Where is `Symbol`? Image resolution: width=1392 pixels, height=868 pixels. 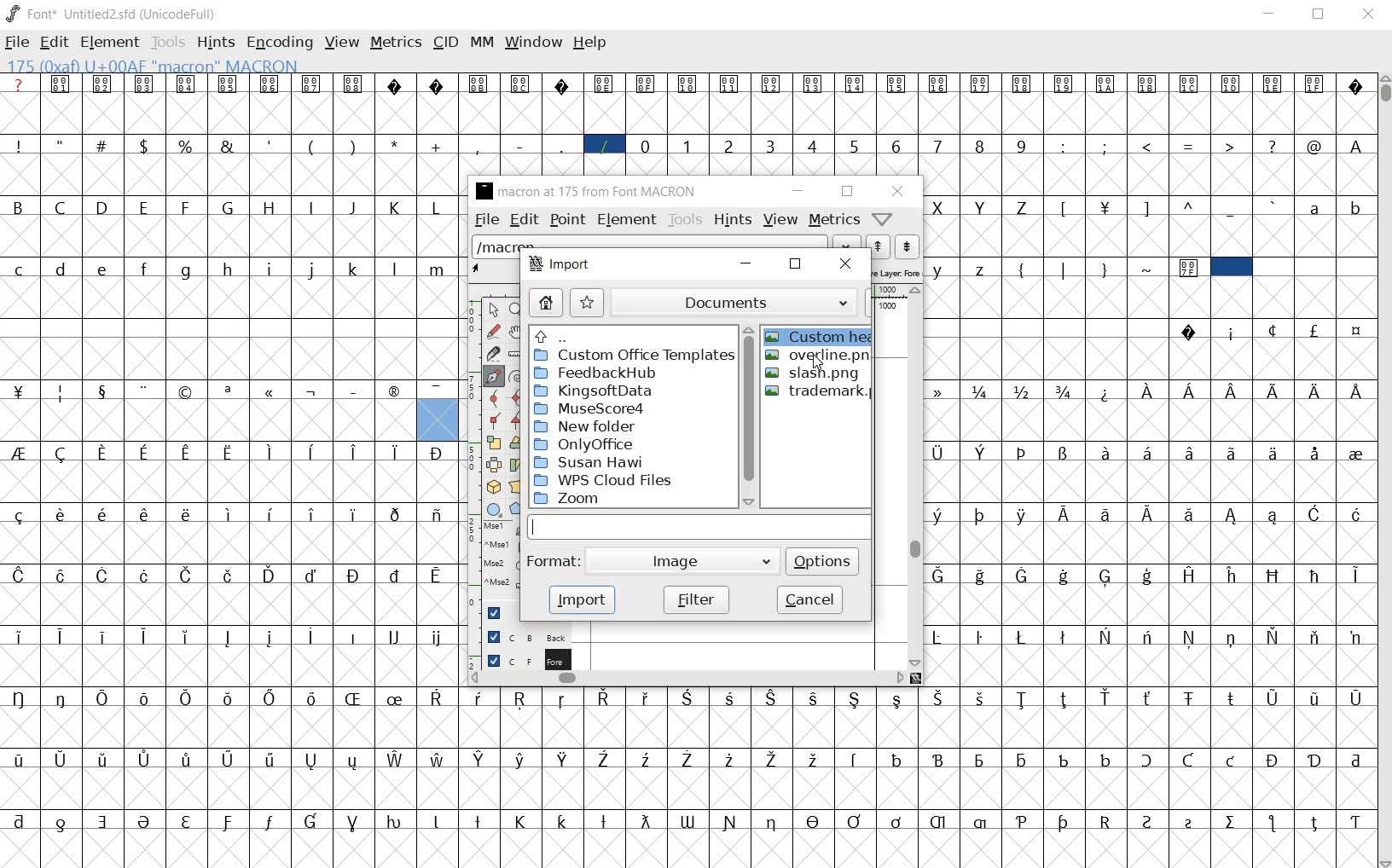 Symbol is located at coordinates (1064, 575).